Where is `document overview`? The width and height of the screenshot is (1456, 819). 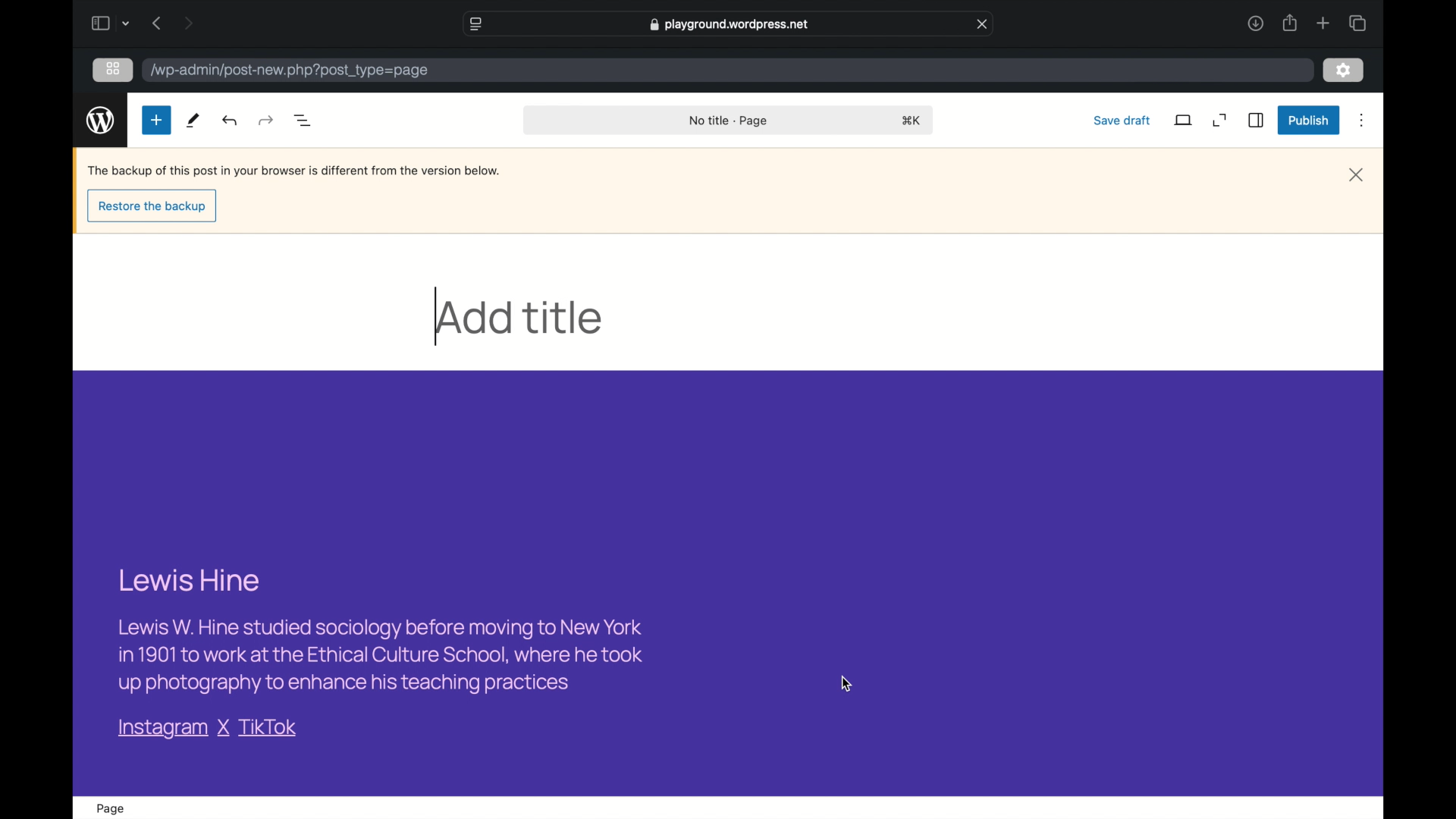
document overview is located at coordinates (303, 120).